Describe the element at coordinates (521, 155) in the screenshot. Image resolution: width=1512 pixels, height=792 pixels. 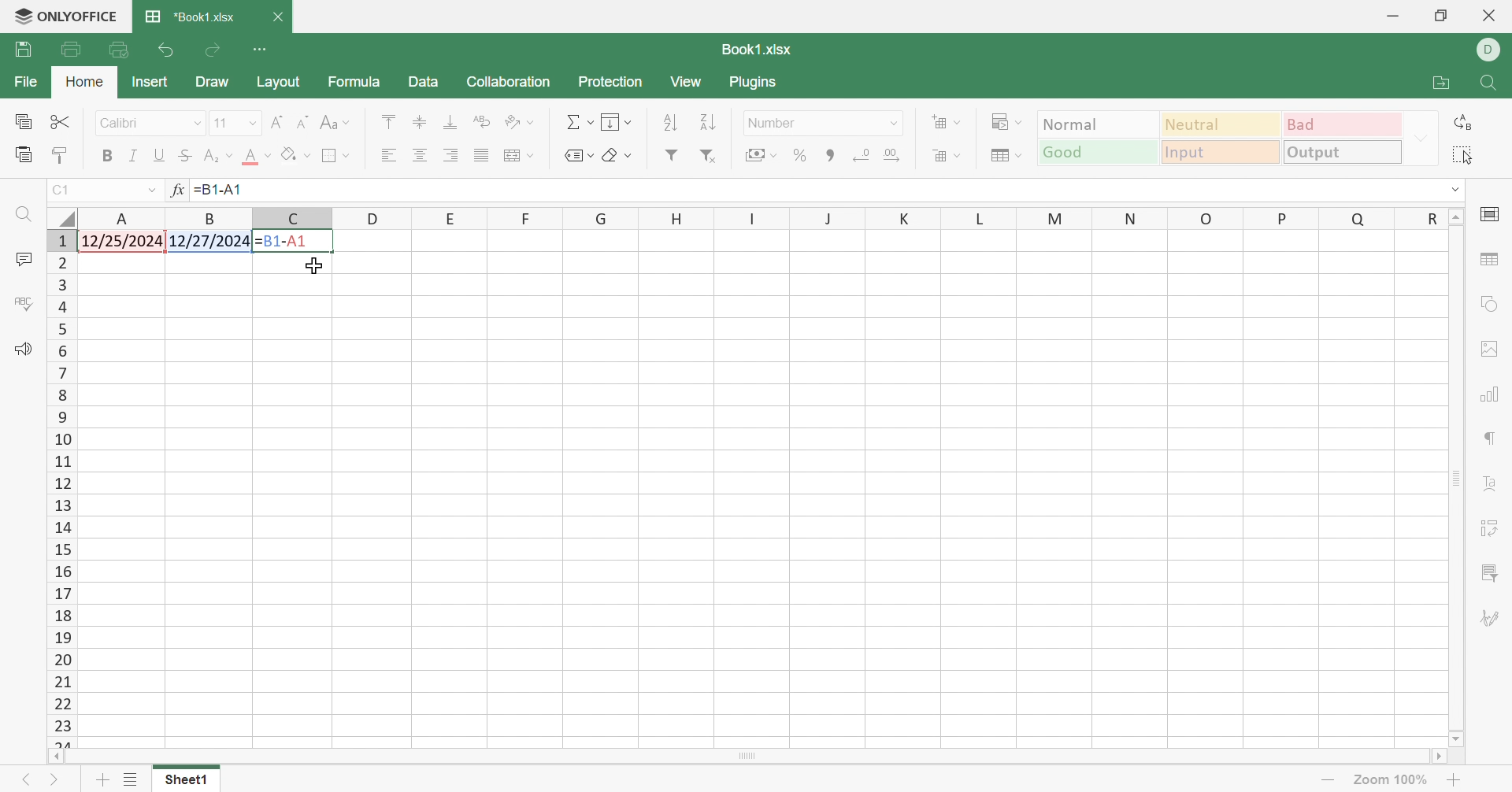
I see `Merge and center` at that location.